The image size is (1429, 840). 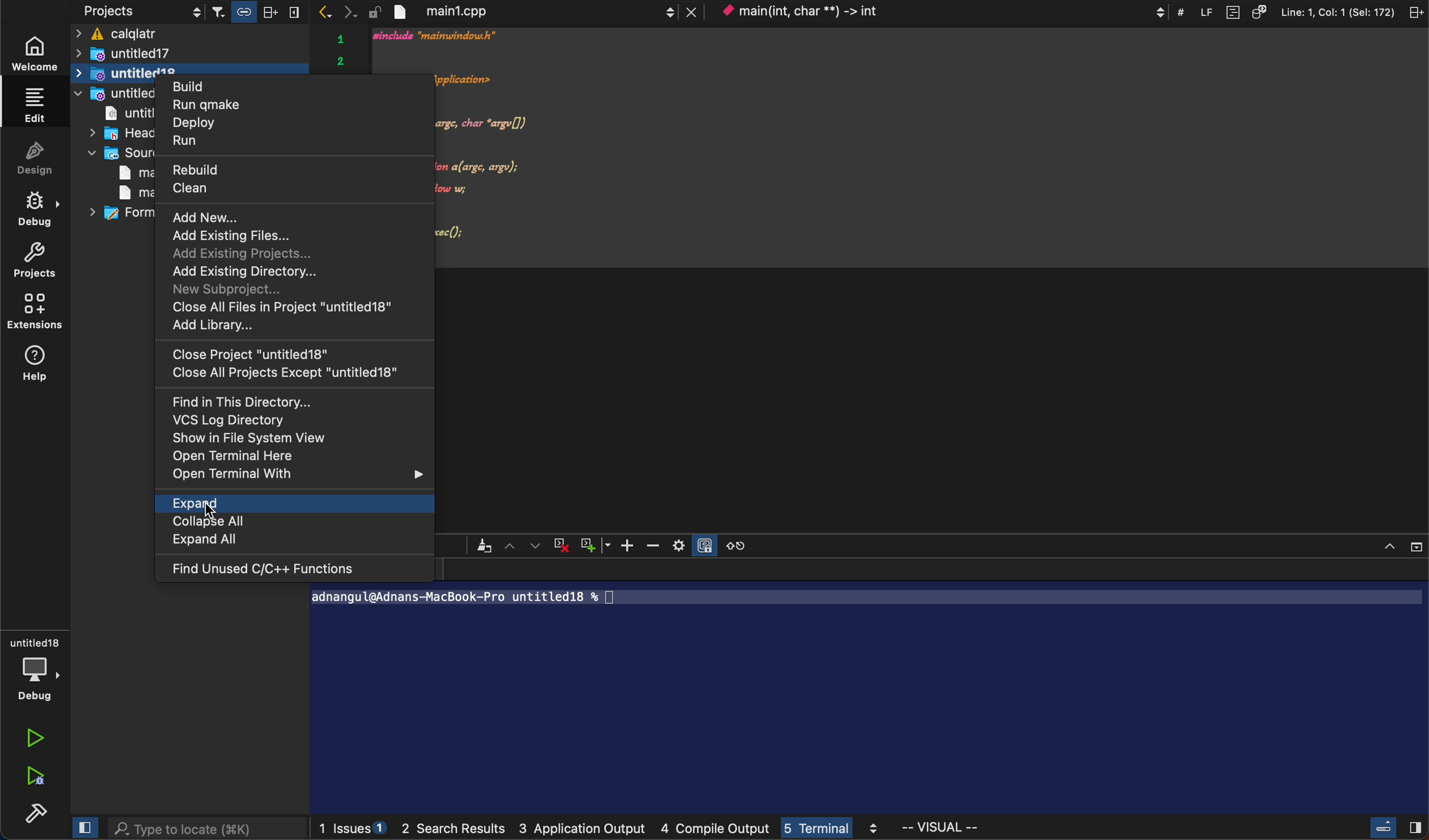 I want to click on add new, so click(x=212, y=217).